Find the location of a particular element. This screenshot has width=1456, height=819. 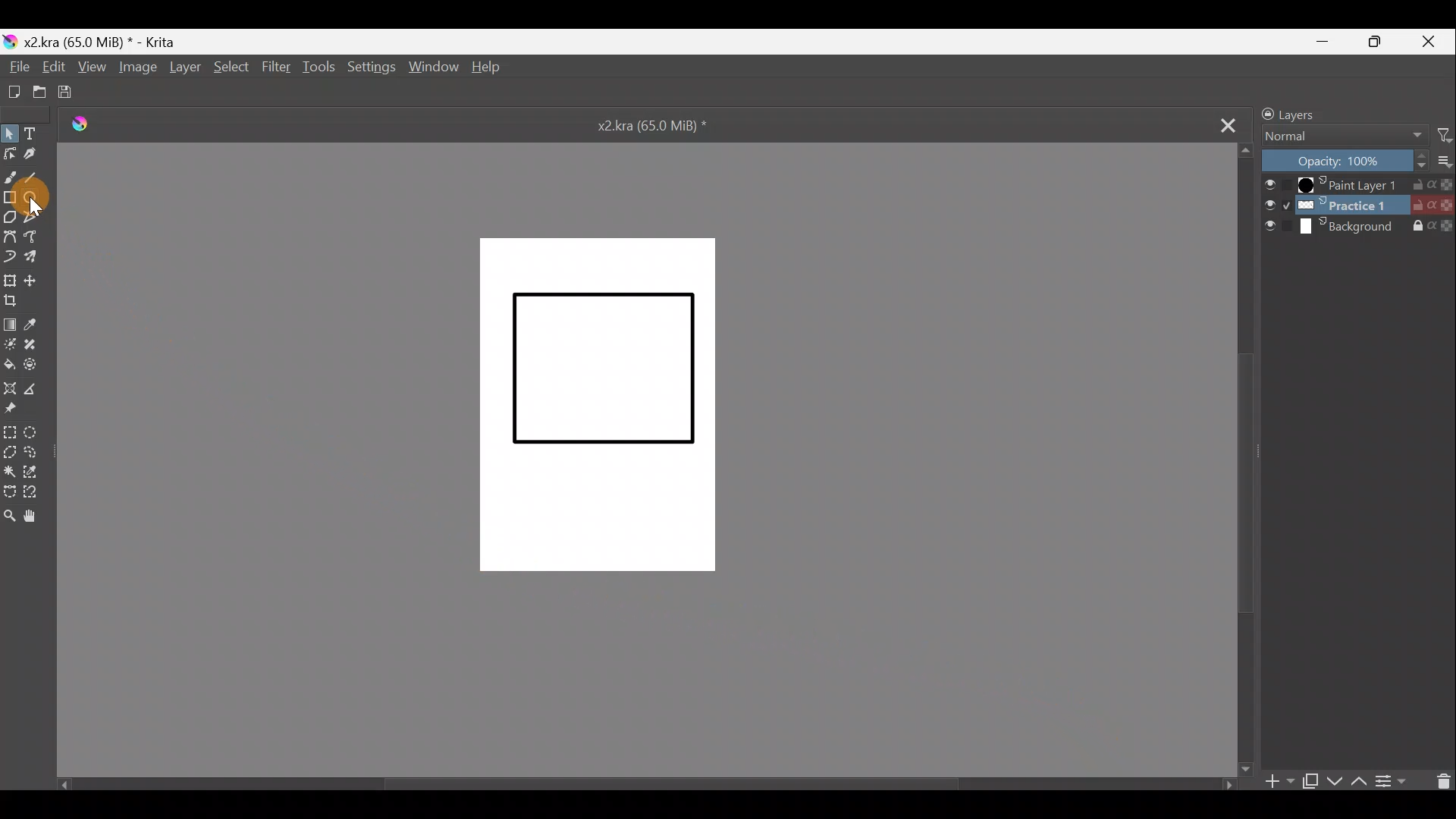

Zoom tool is located at coordinates (9, 521).